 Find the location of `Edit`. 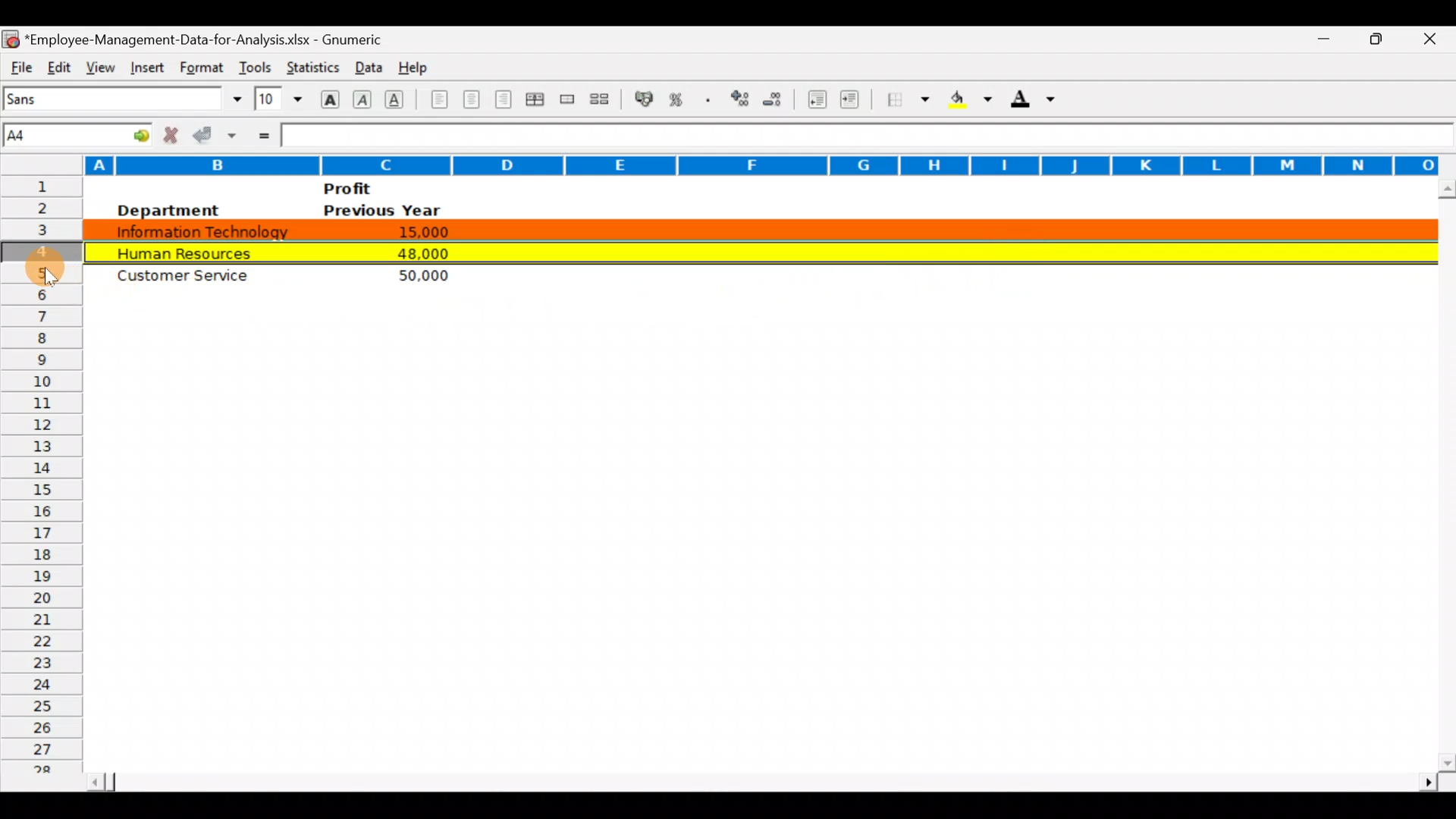

Edit is located at coordinates (58, 65).